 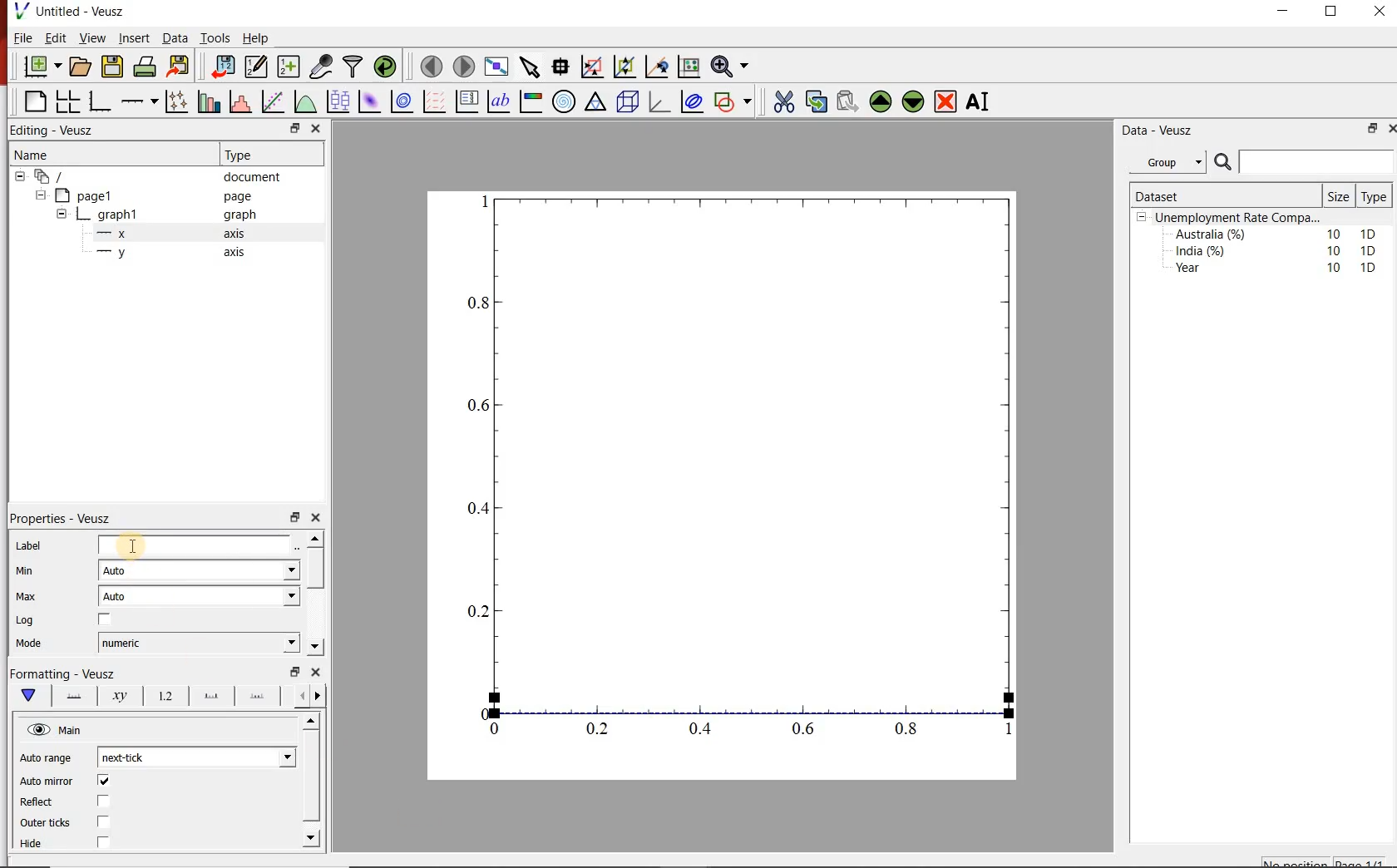 What do you see at coordinates (658, 66) in the screenshot?
I see `click to recenter graph axes` at bounding box center [658, 66].